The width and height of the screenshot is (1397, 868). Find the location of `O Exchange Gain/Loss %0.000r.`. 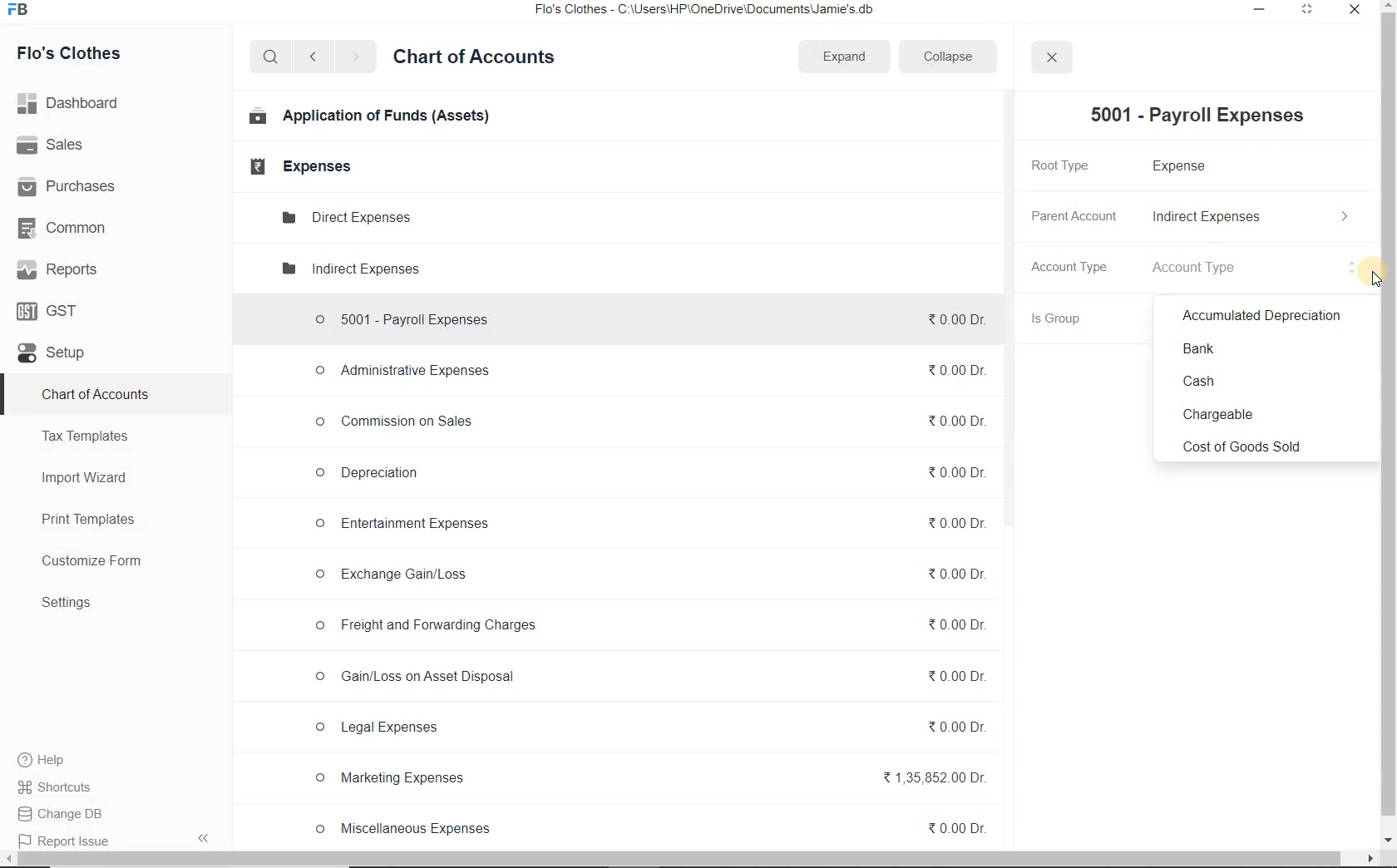

O Exchange Gain/Loss %0.000r. is located at coordinates (644, 572).